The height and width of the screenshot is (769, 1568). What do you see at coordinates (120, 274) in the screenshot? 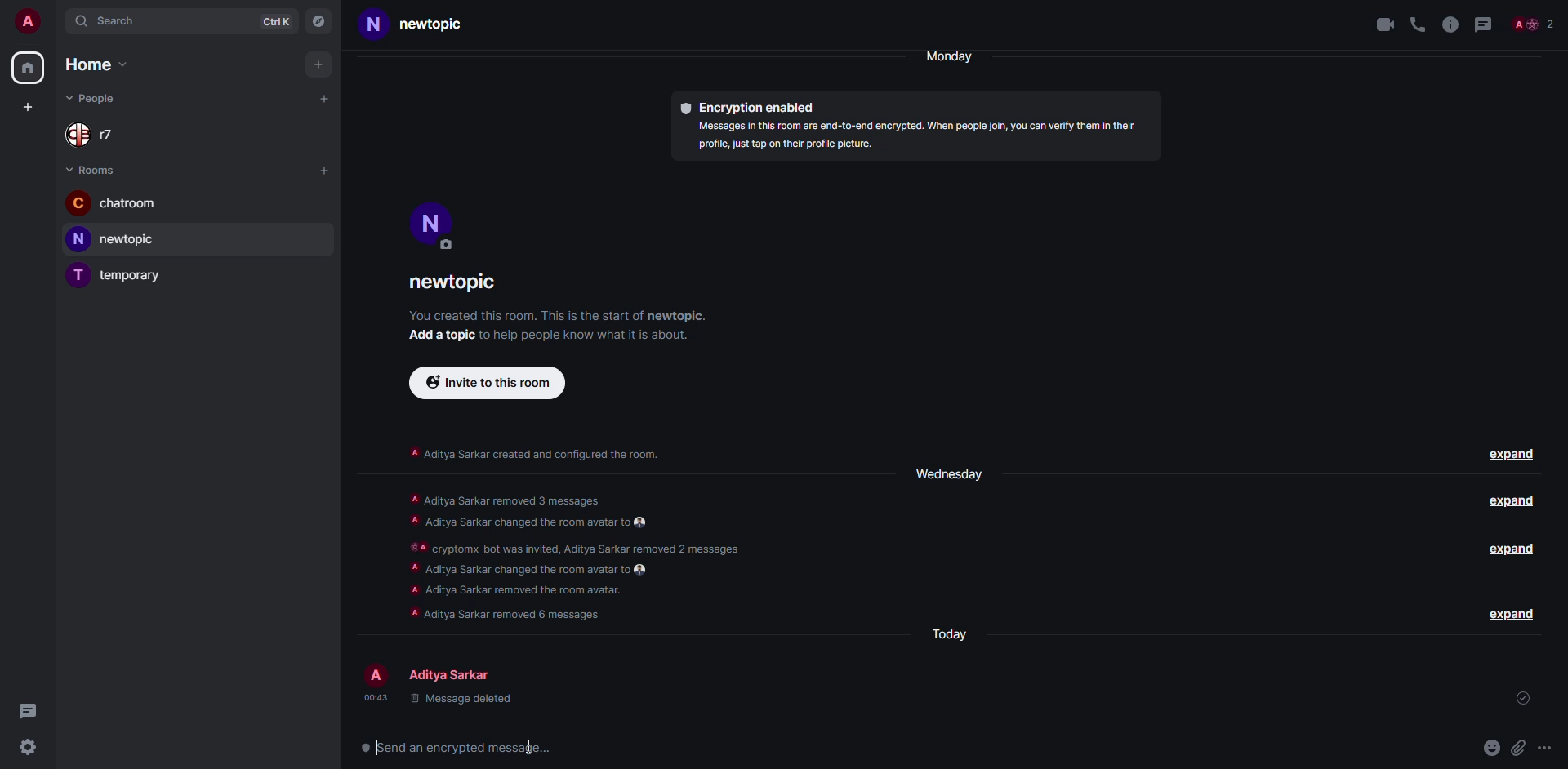
I see `room` at bounding box center [120, 274].